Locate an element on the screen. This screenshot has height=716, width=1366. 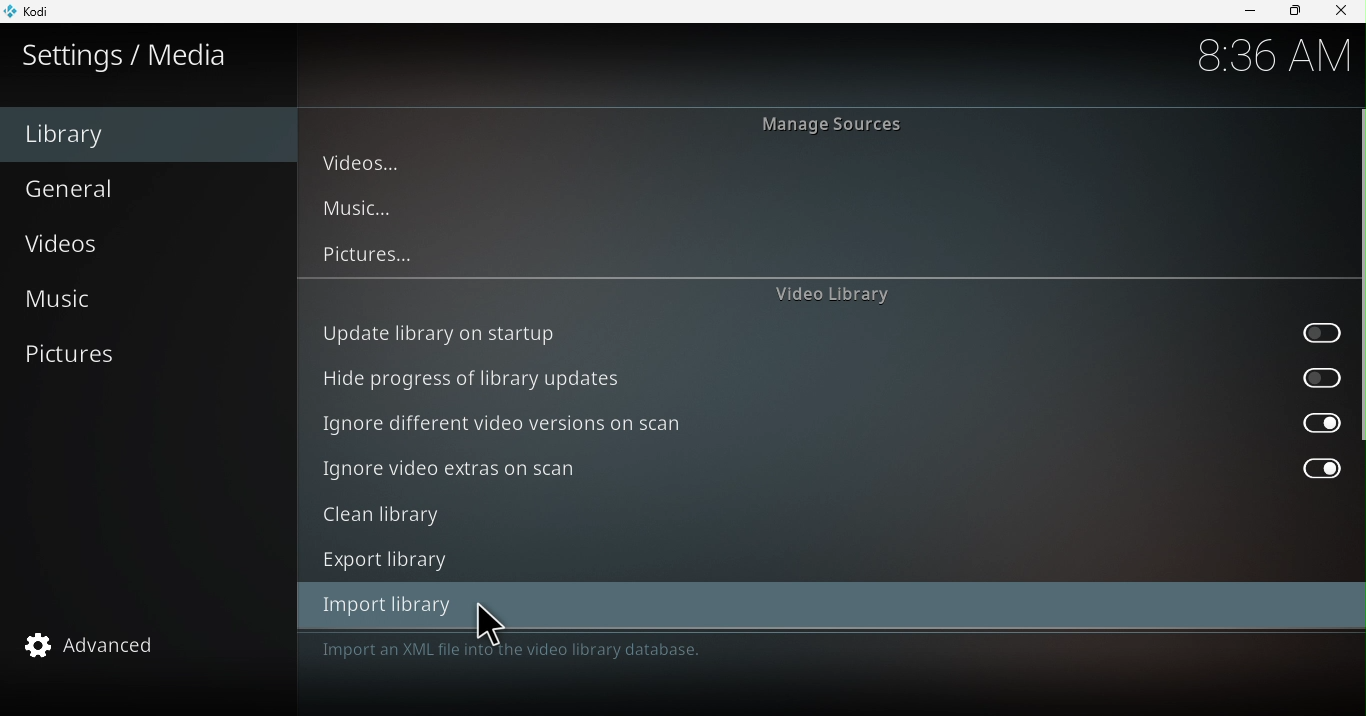
Pictures is located at coordinates (146, 353).